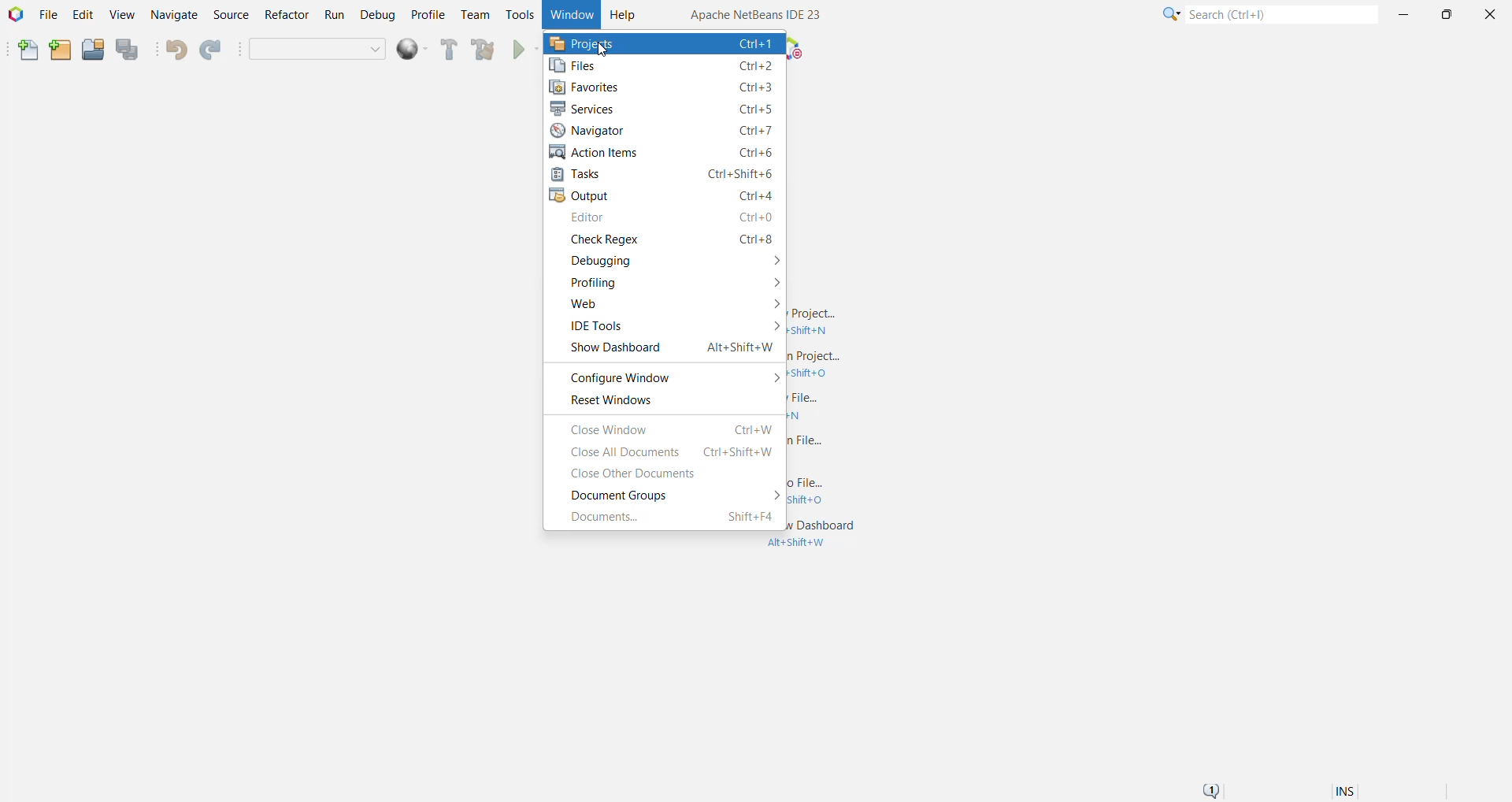  What do you see at coordinates (610, 402) in the screenshot?
I see `Reset Windows` at bounding box center [610, 402].